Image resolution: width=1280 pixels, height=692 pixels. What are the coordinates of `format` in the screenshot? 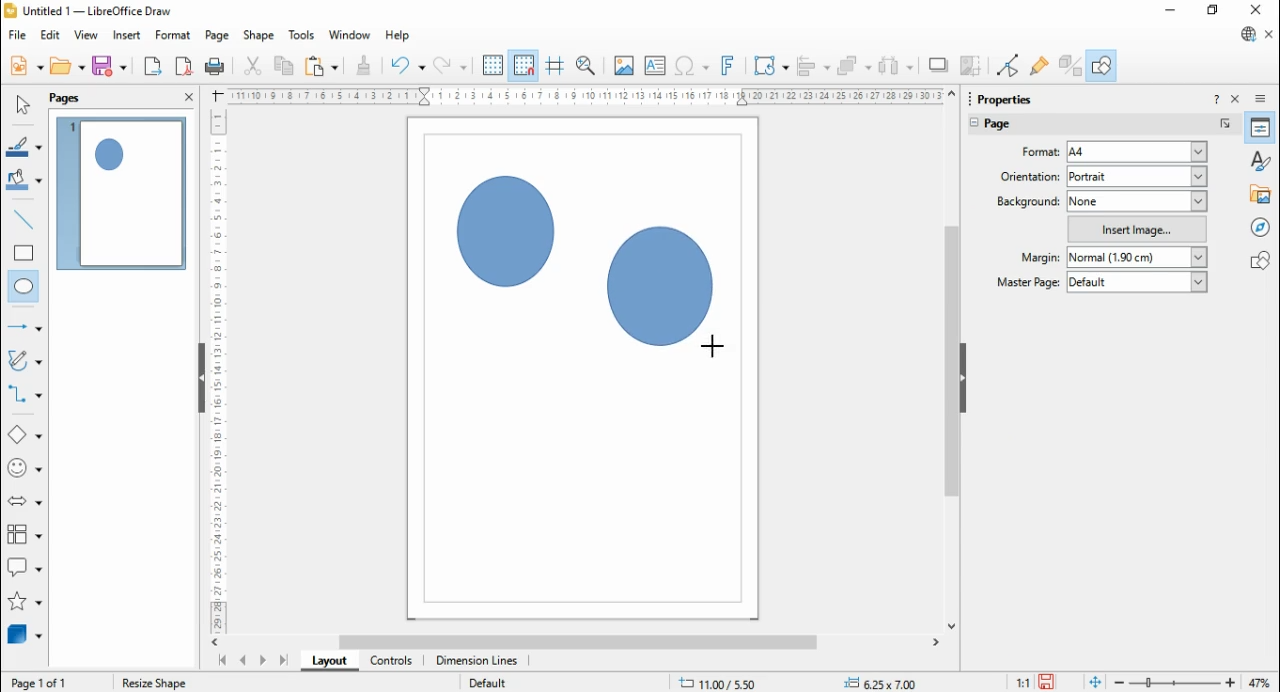 It's located at (174, 36).